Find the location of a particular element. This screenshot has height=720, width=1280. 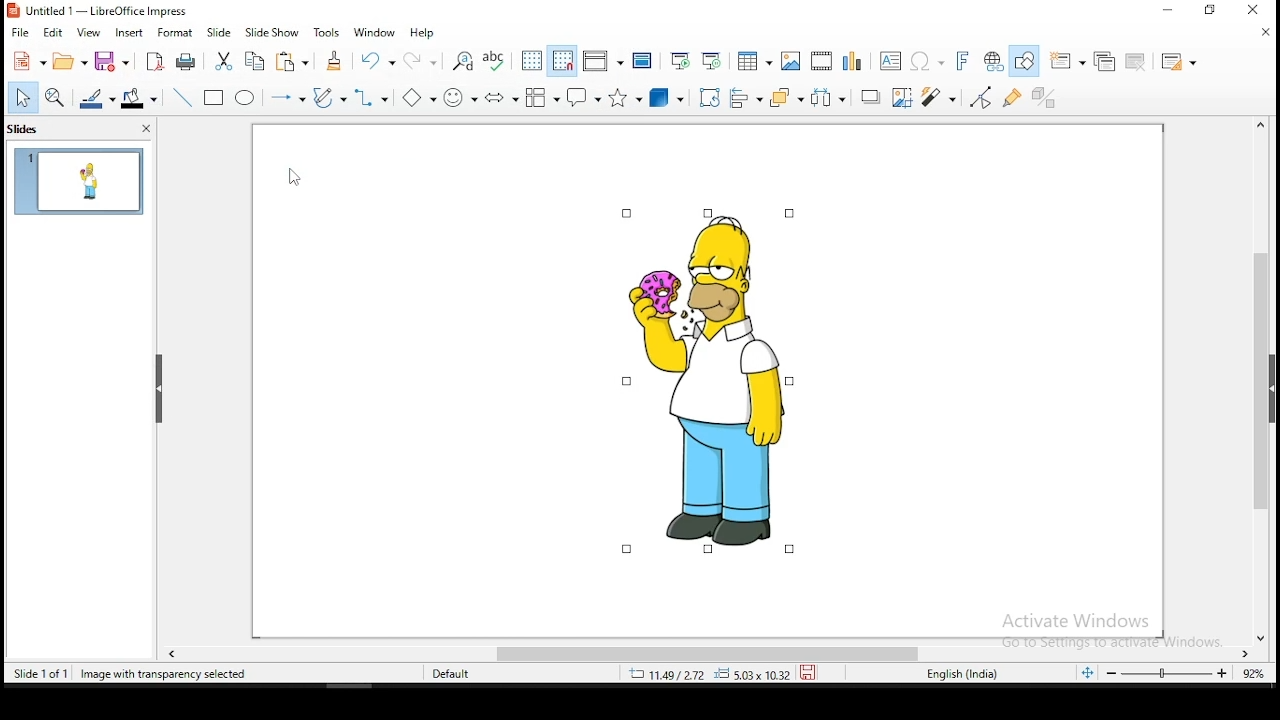

 is located at coordinates (851, 59).